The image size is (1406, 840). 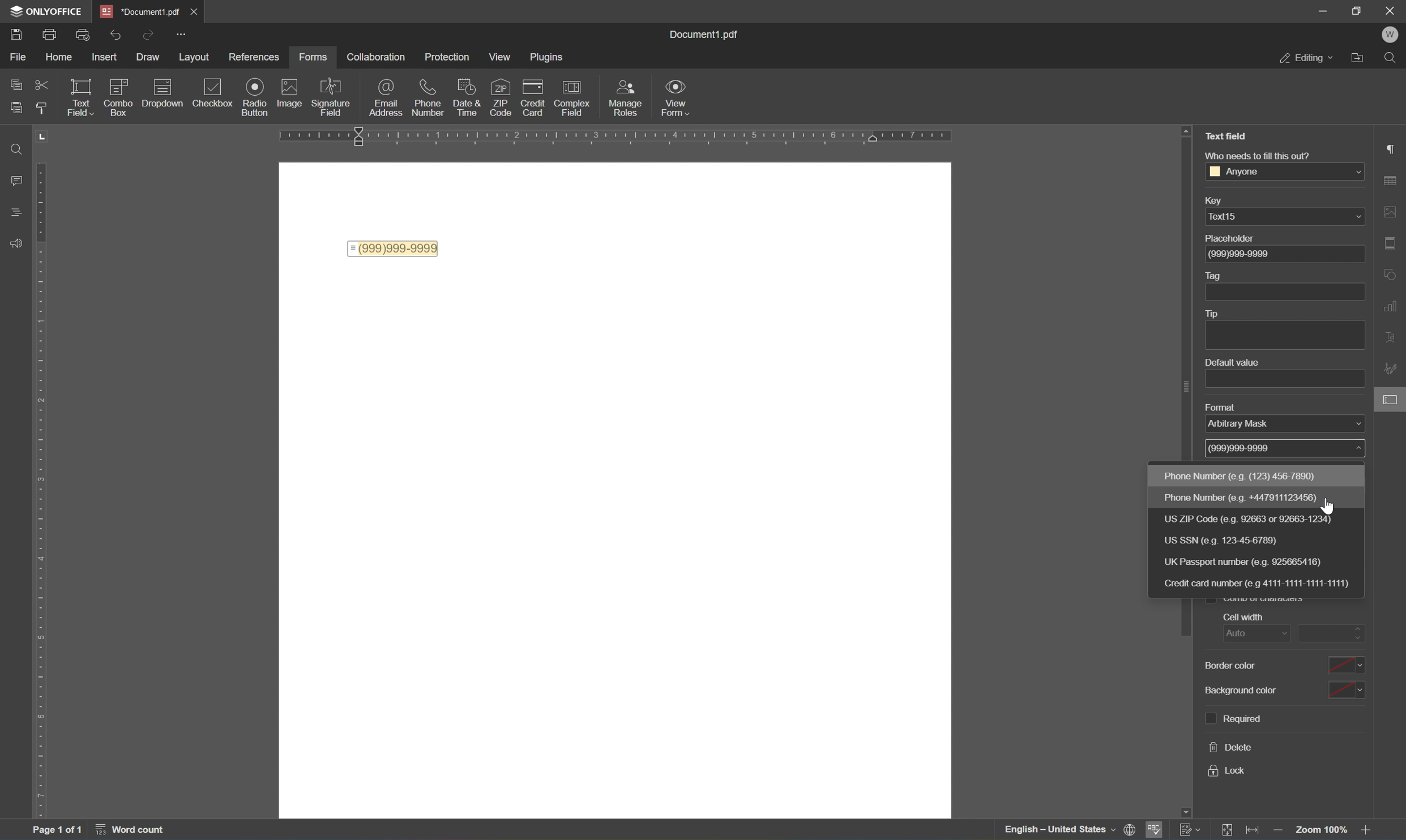 What do you see at coordinates (625, 136) in the screenshot?
I see `ruler` at bounding box center [625, 136].